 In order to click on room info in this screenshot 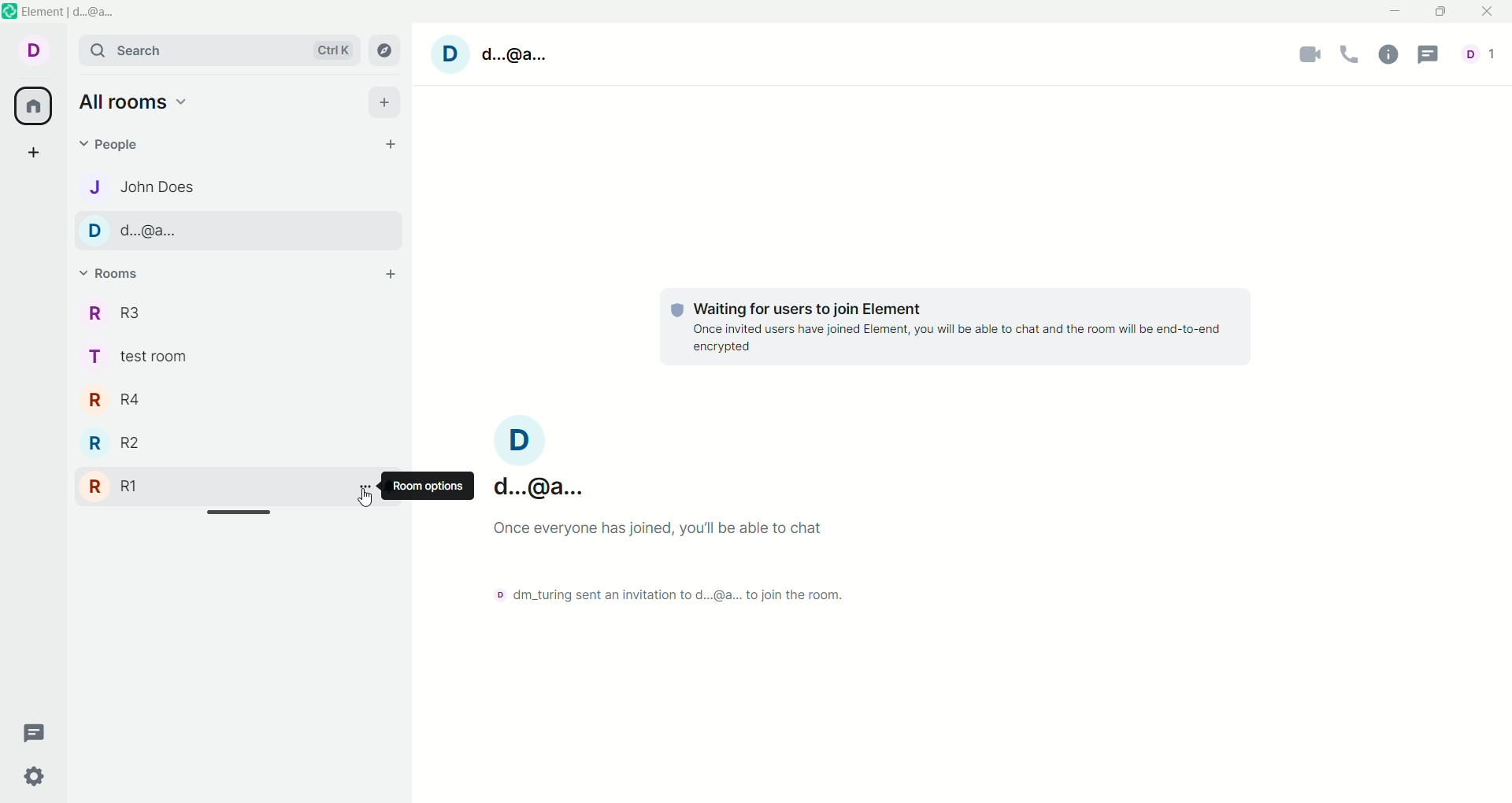, I will do `click(1391, 56)`.